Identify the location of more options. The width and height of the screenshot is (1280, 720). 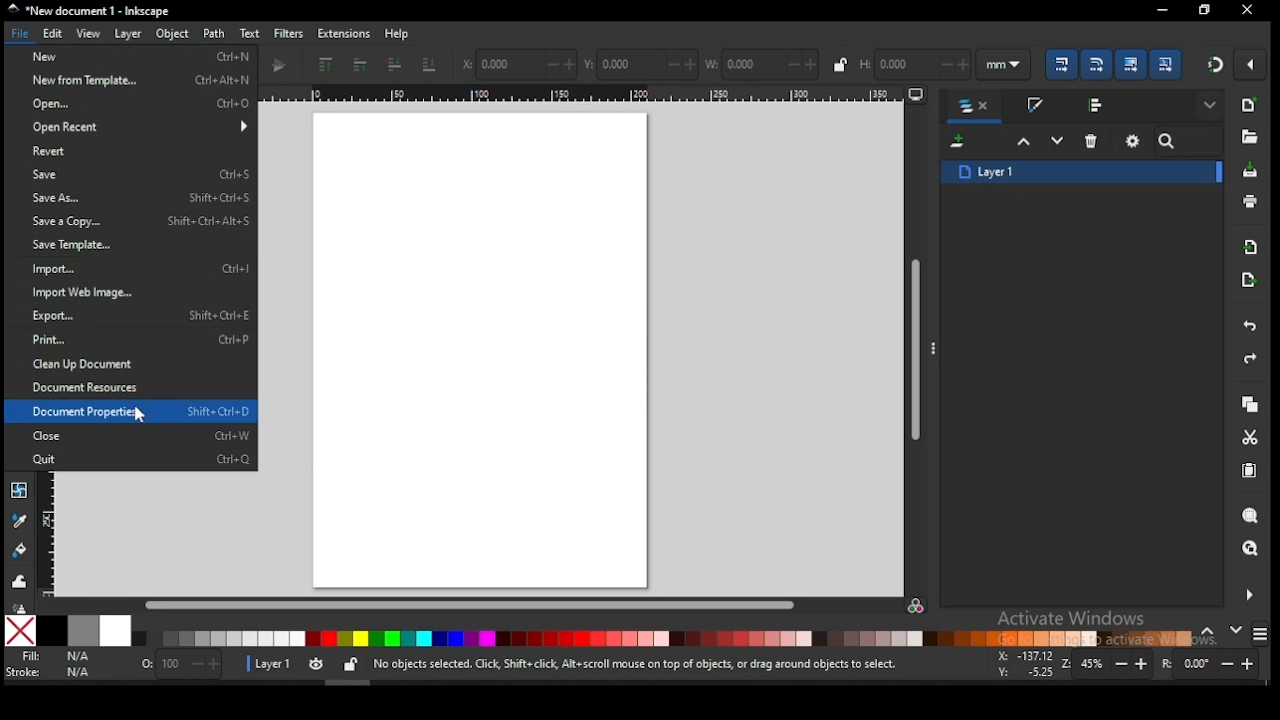
(936, 347).